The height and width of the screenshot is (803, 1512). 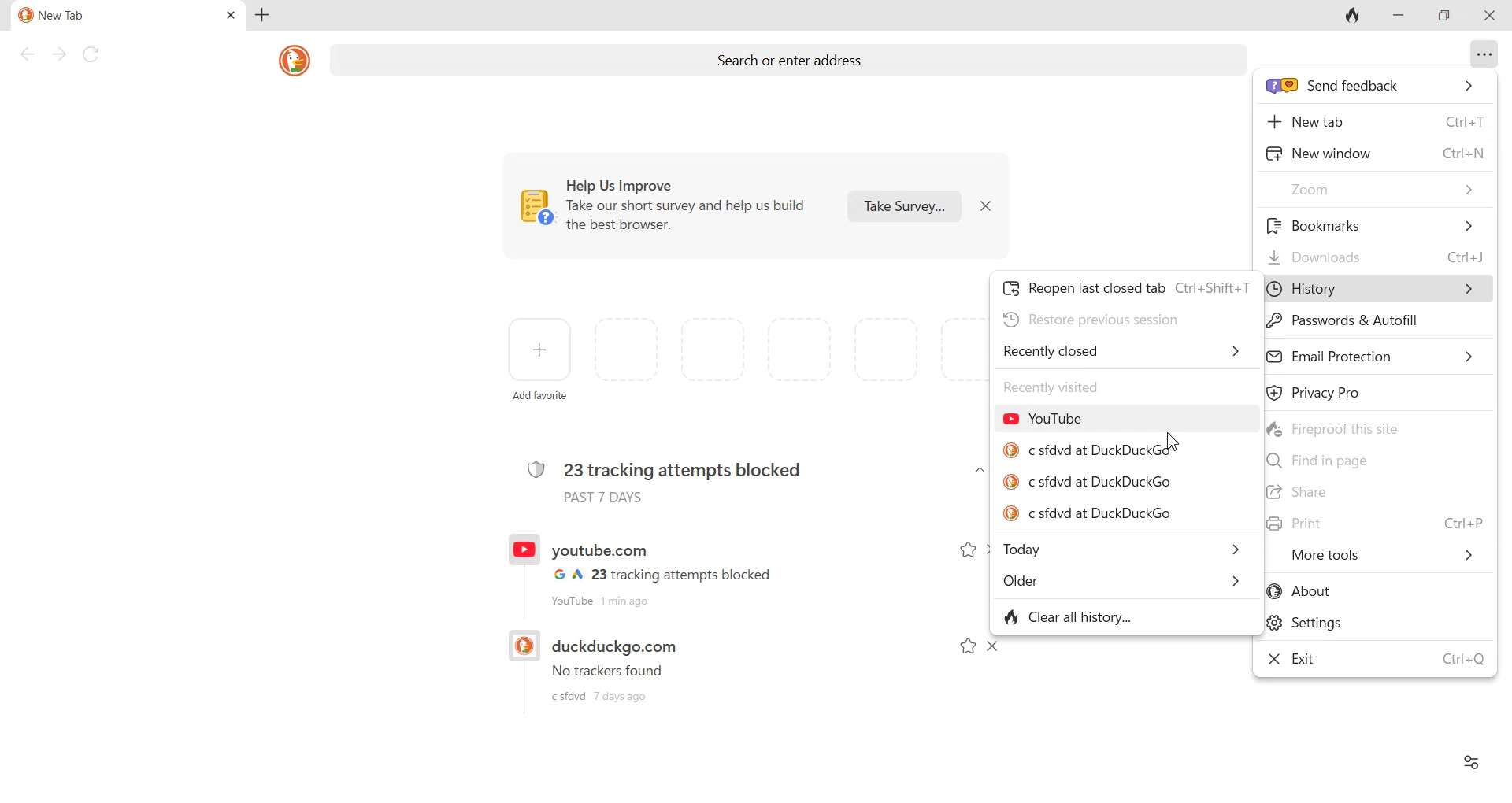 I want to click on Back, so click(x=26, y=54).